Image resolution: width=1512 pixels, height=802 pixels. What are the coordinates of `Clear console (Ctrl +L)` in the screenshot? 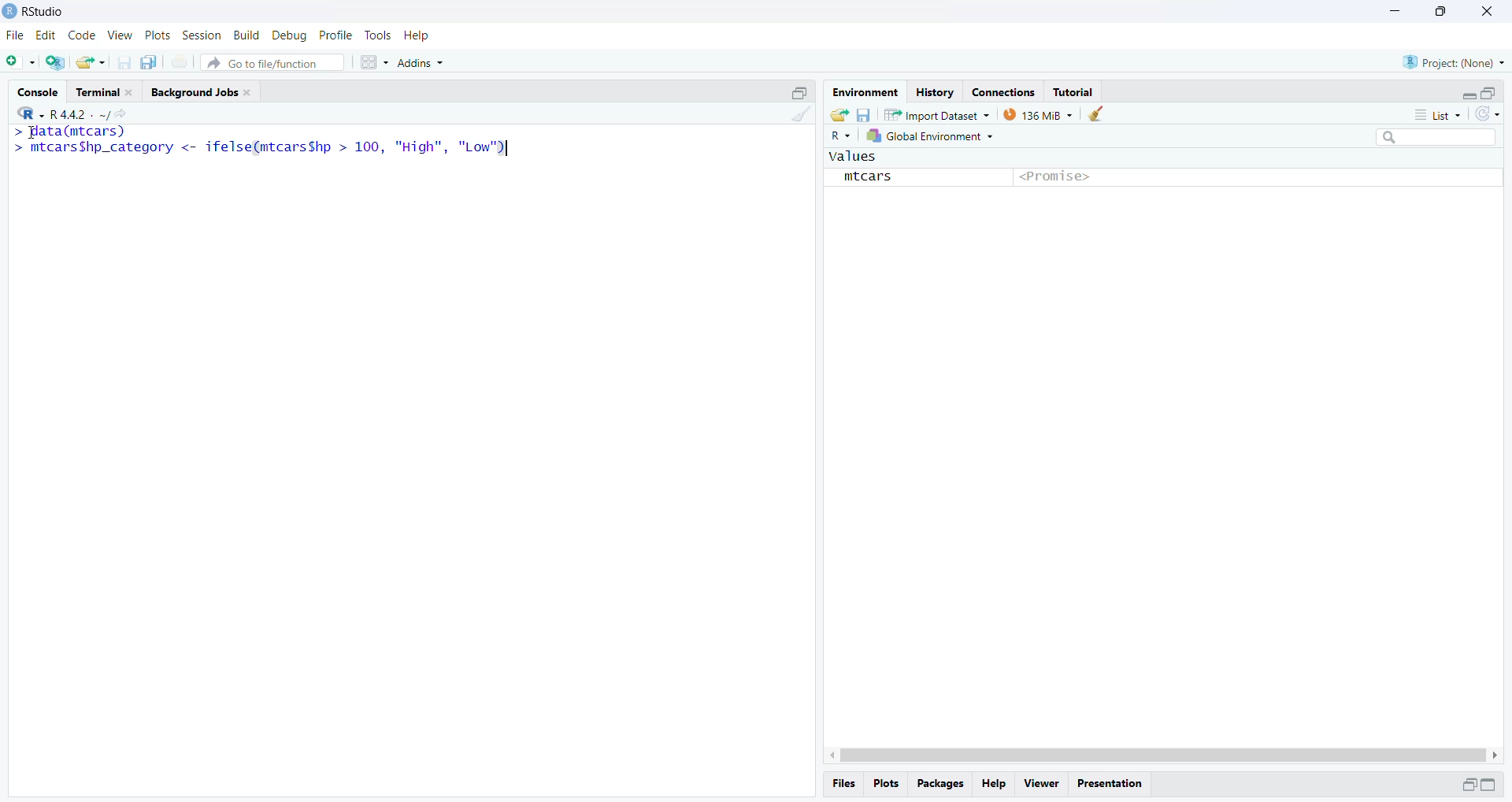 It's located at (798, 123).